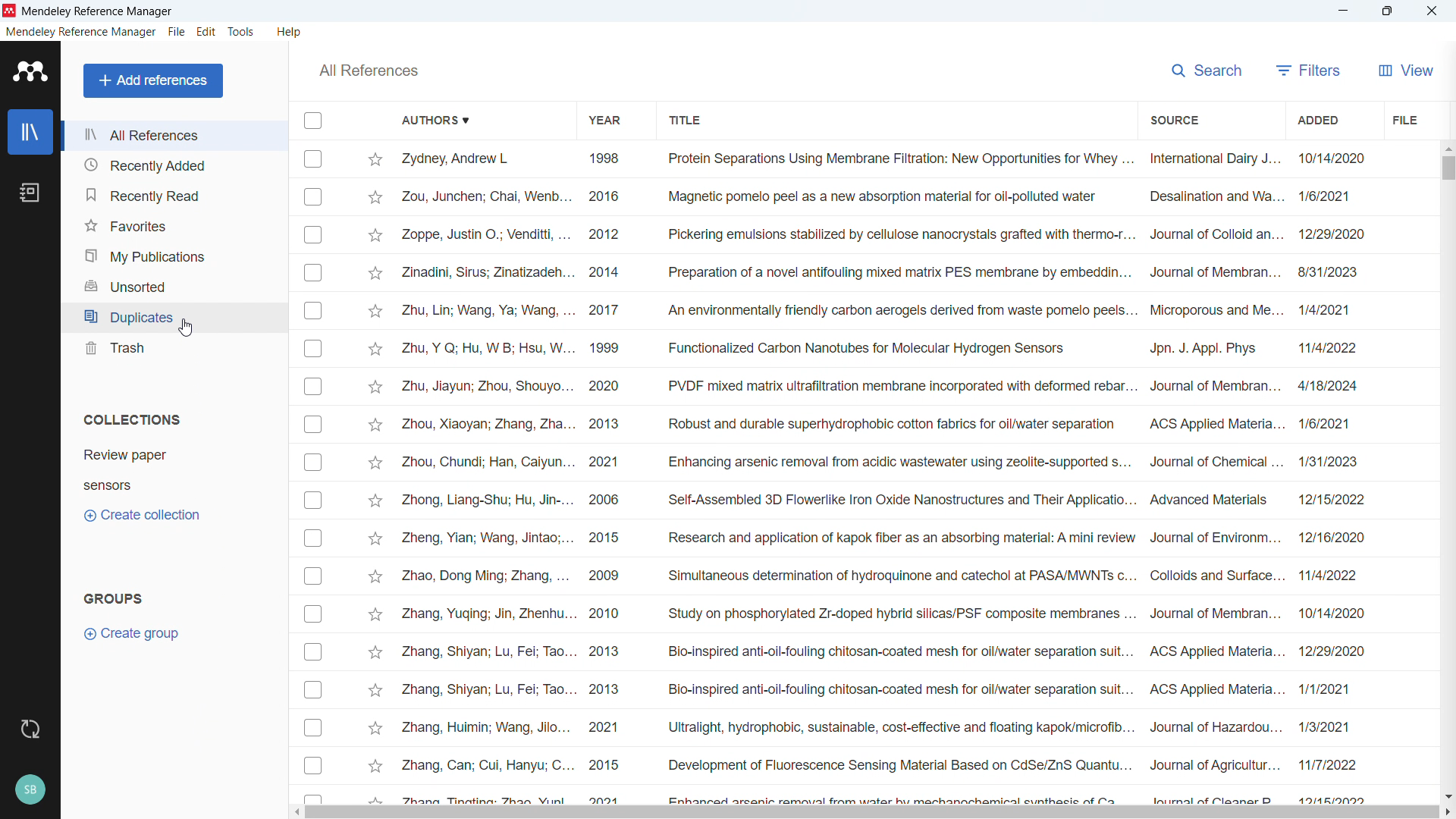 The image size is (1456, 819). Describe the element at coordinates (206, 31) in the screenshot. I see `edit` at that location.